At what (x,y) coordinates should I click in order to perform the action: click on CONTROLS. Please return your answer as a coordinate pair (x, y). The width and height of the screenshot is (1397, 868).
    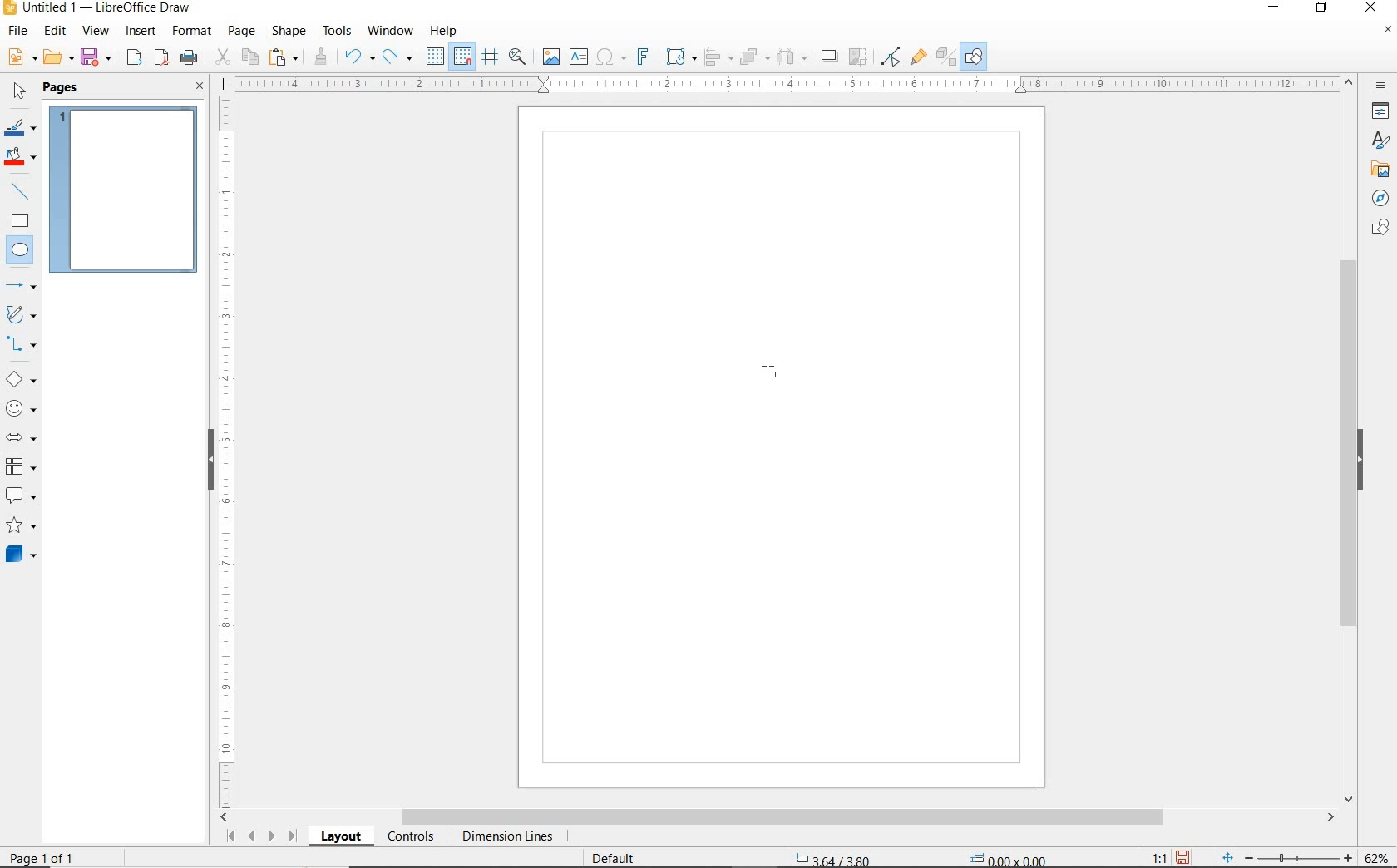
    Looking at the image, I should click on (412, 838).